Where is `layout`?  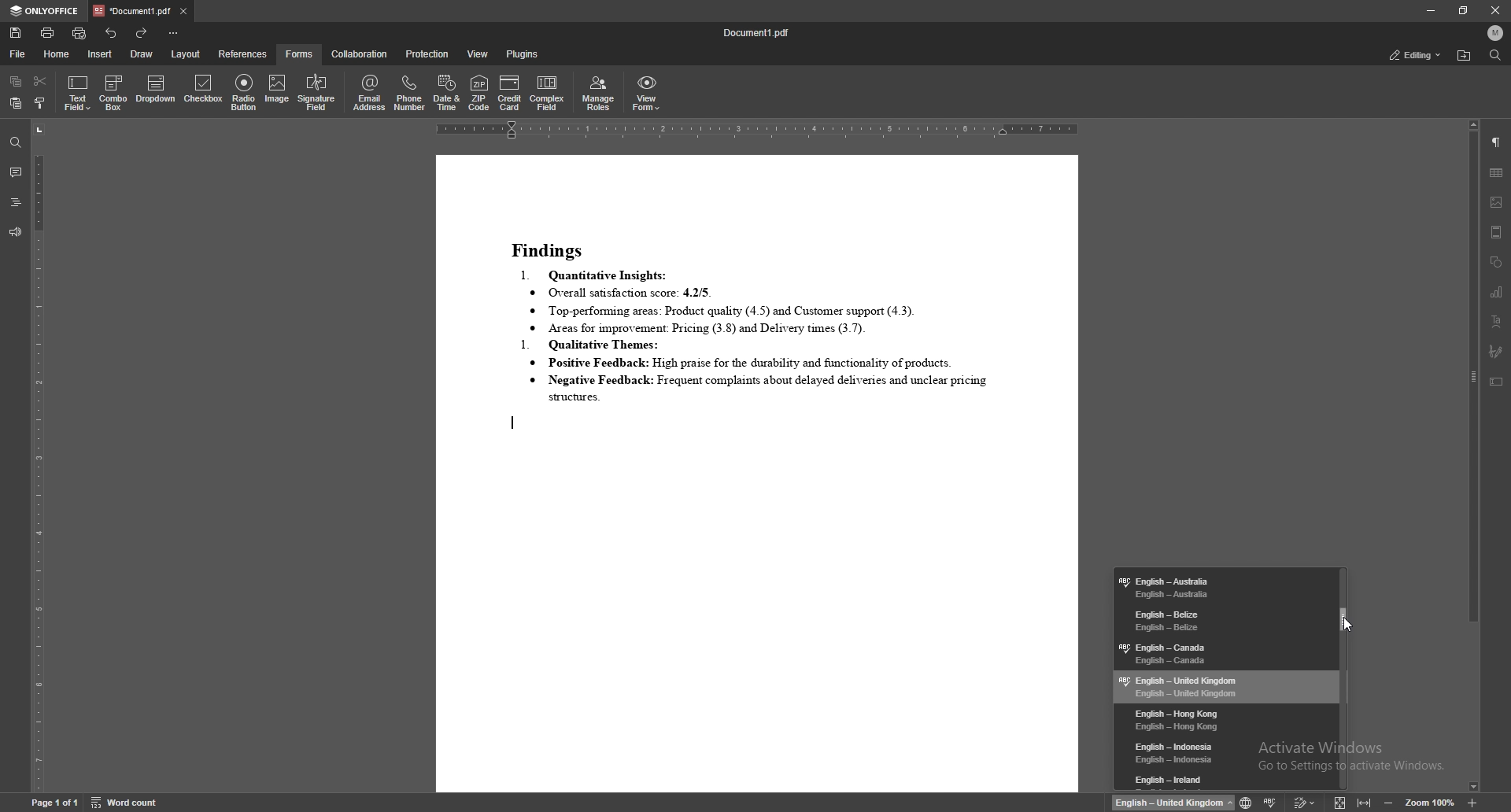 layout is located at coordinates (186, 54).